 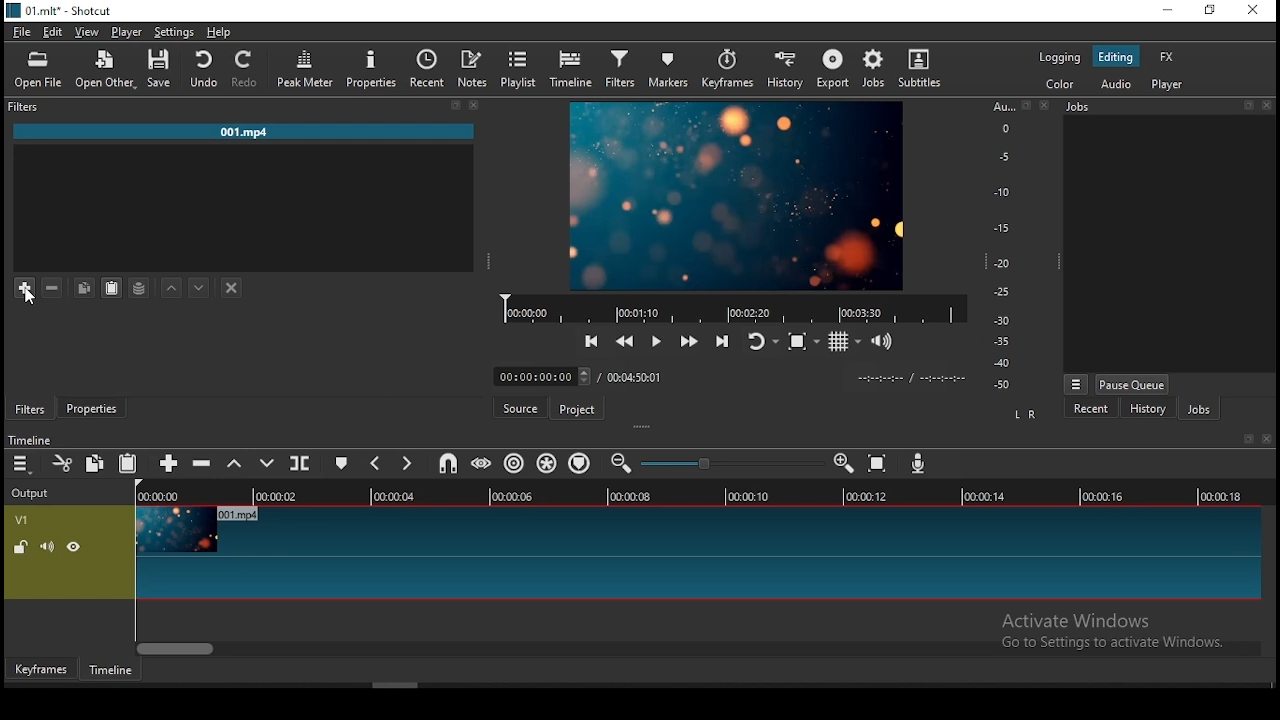 What do you see at coordinates (1196, 408) in the screenshot?
I see `jobs` at bounding box center [1196, 408].